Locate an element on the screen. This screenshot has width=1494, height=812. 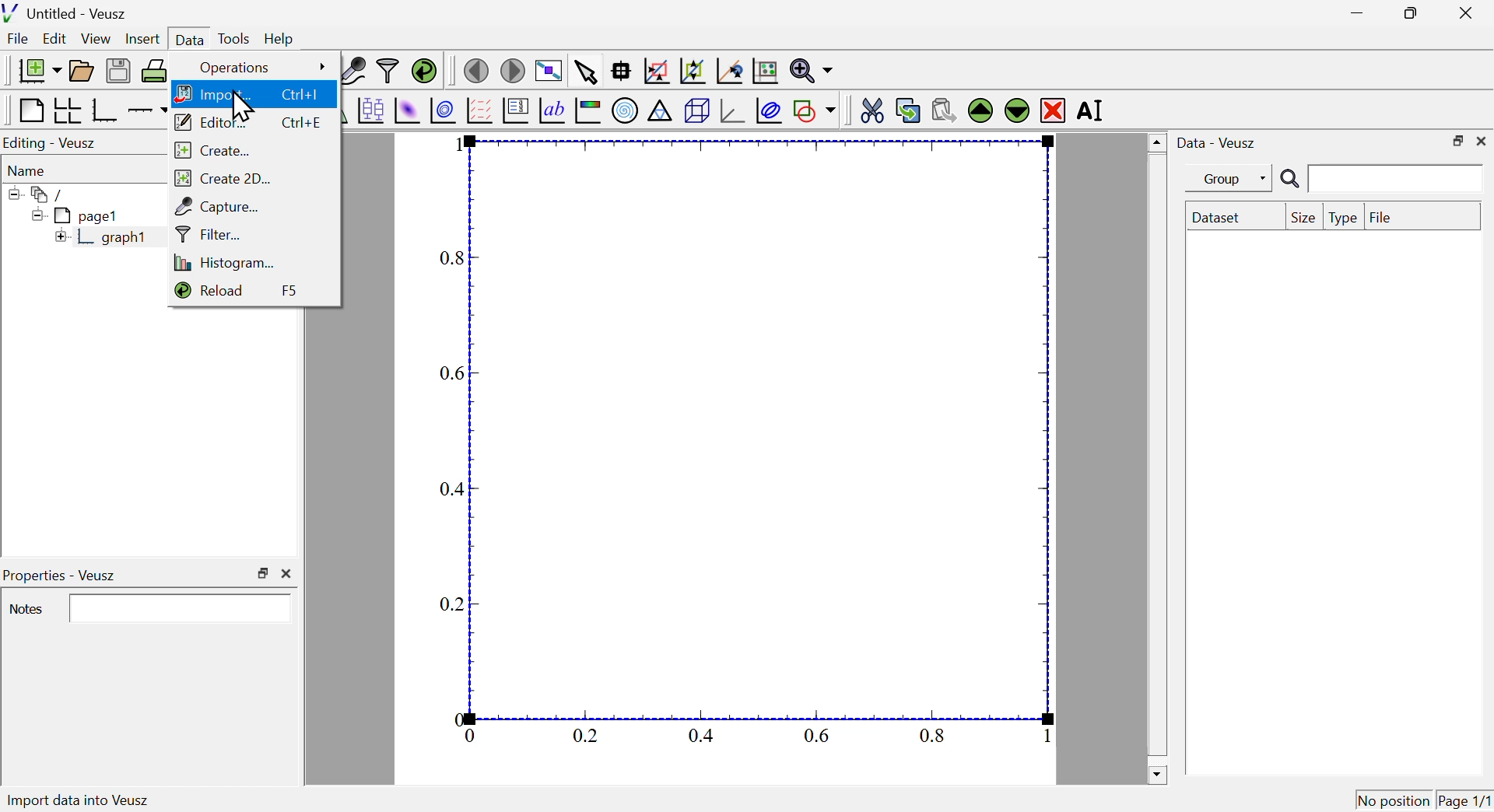
search is located at coordinates (1378, 180).